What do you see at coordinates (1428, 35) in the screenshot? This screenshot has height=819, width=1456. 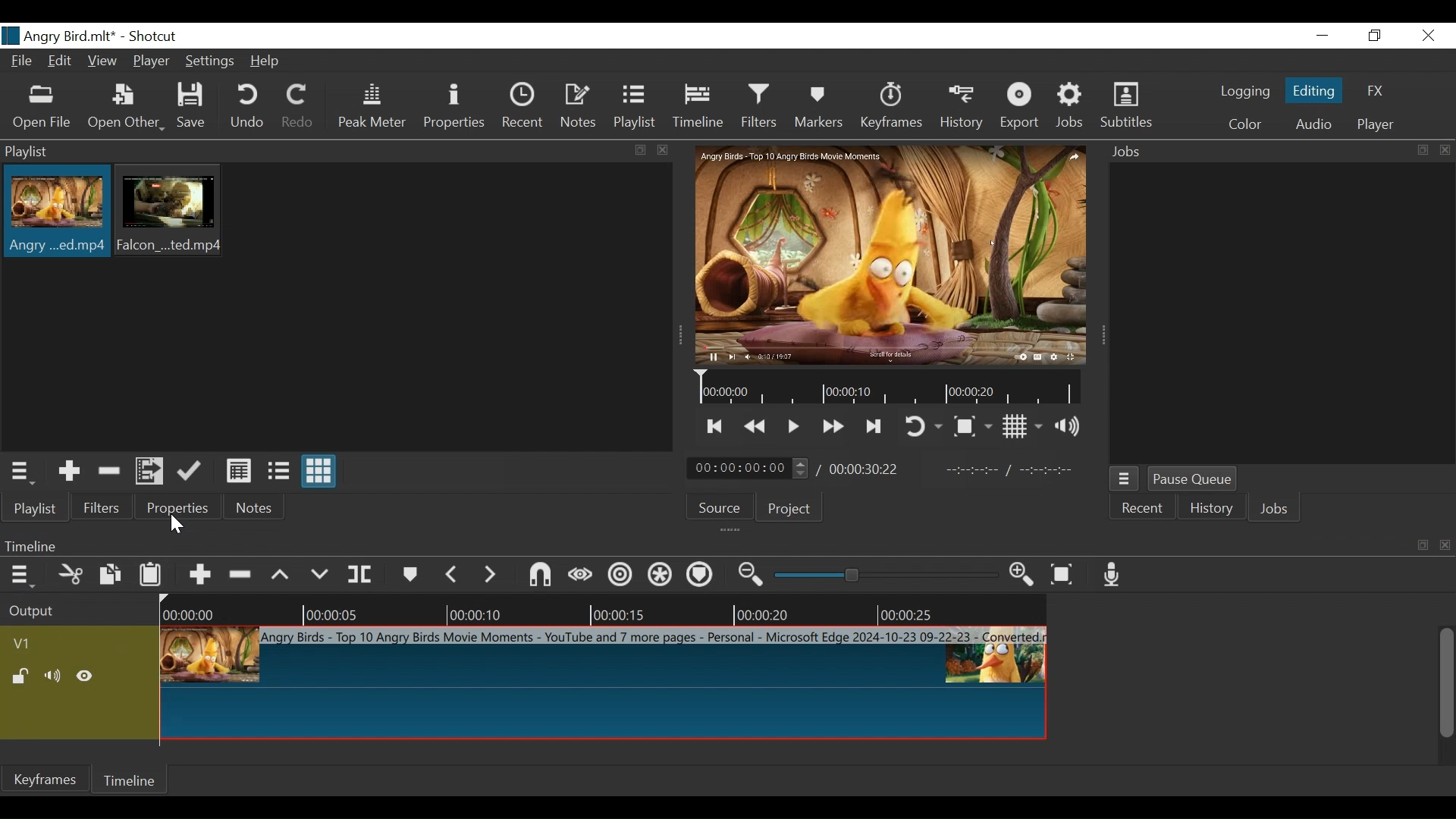 I see `Close` at bounding box center [1428, 35].